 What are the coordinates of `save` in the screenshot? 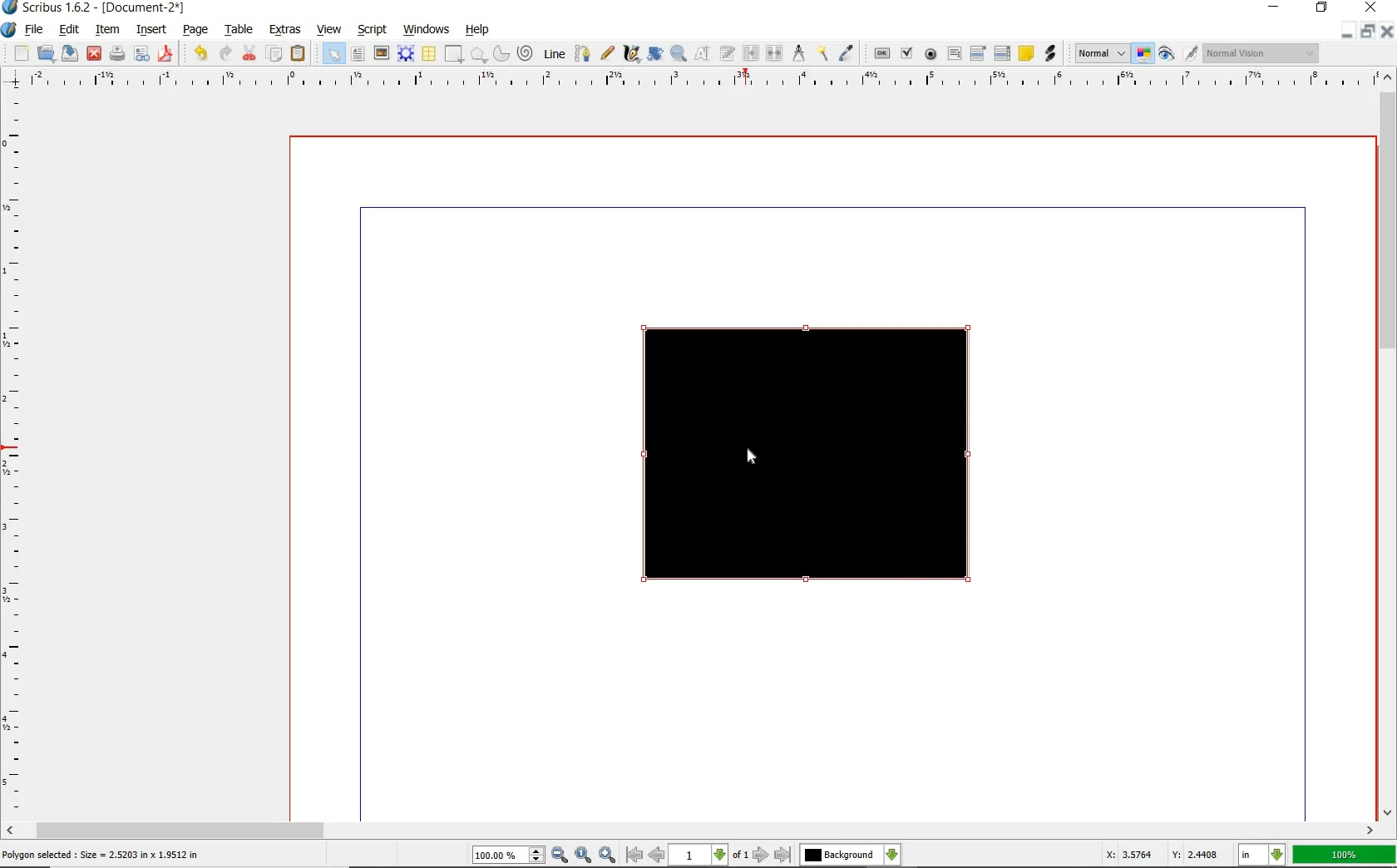 It's located at (69, 55).